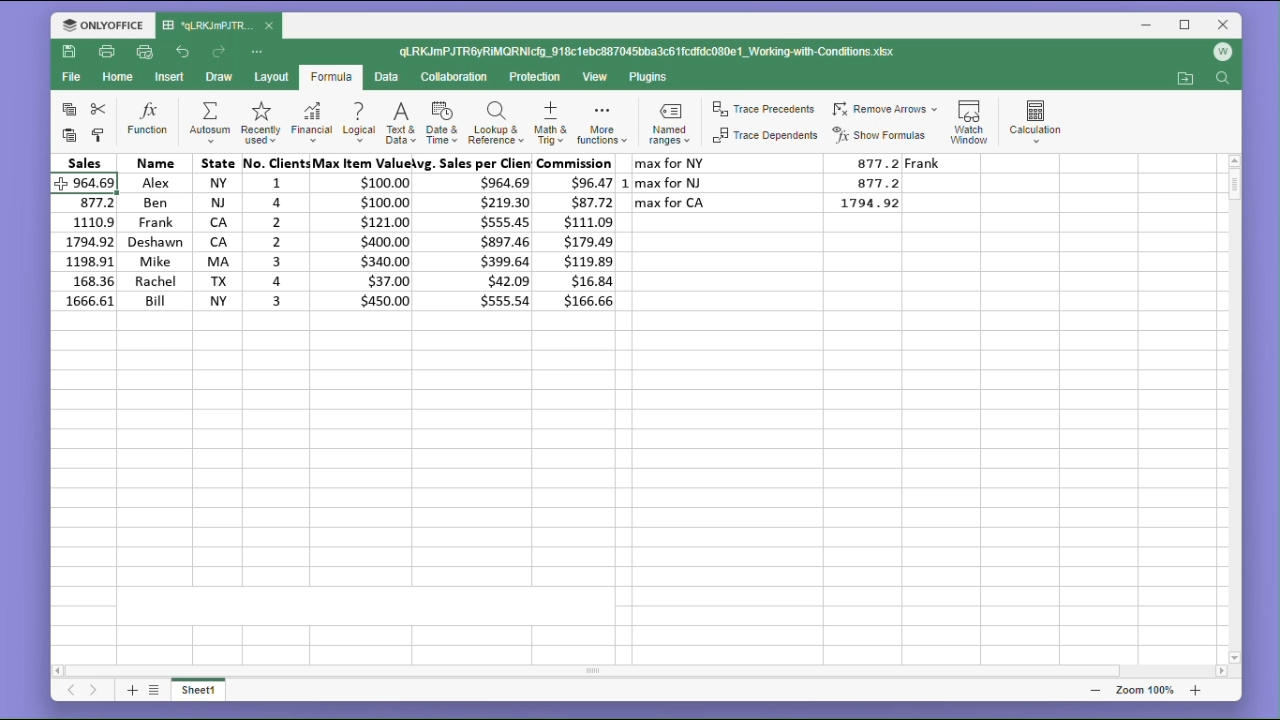 Image resolution: width=1280 pixels, height=720 pixels. Describe the element at coordinates (70, 55) in the screenshot. I see `save` at that location.